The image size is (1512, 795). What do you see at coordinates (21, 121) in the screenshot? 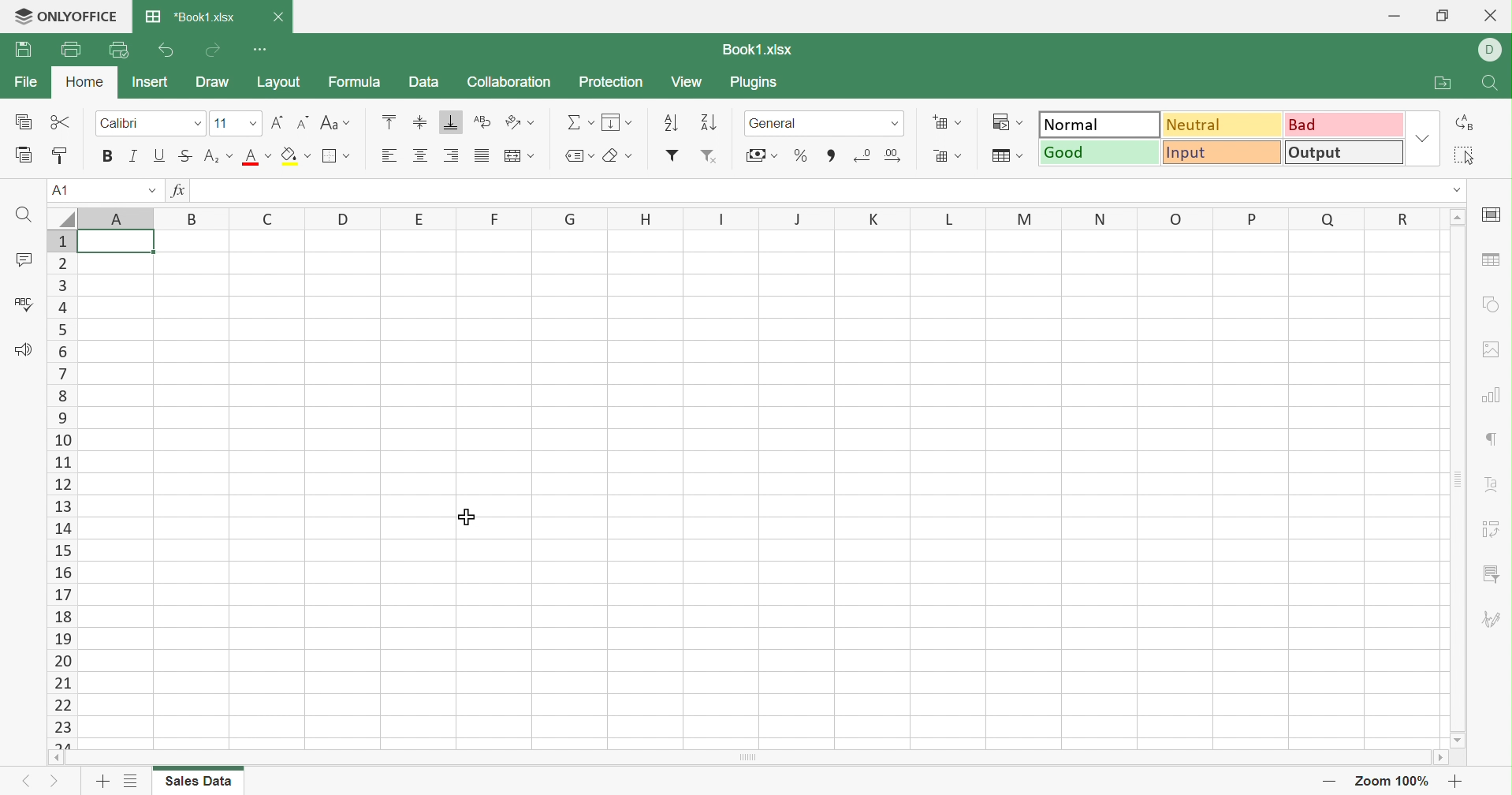
I see `Copy` at bounding box center [21, 121].